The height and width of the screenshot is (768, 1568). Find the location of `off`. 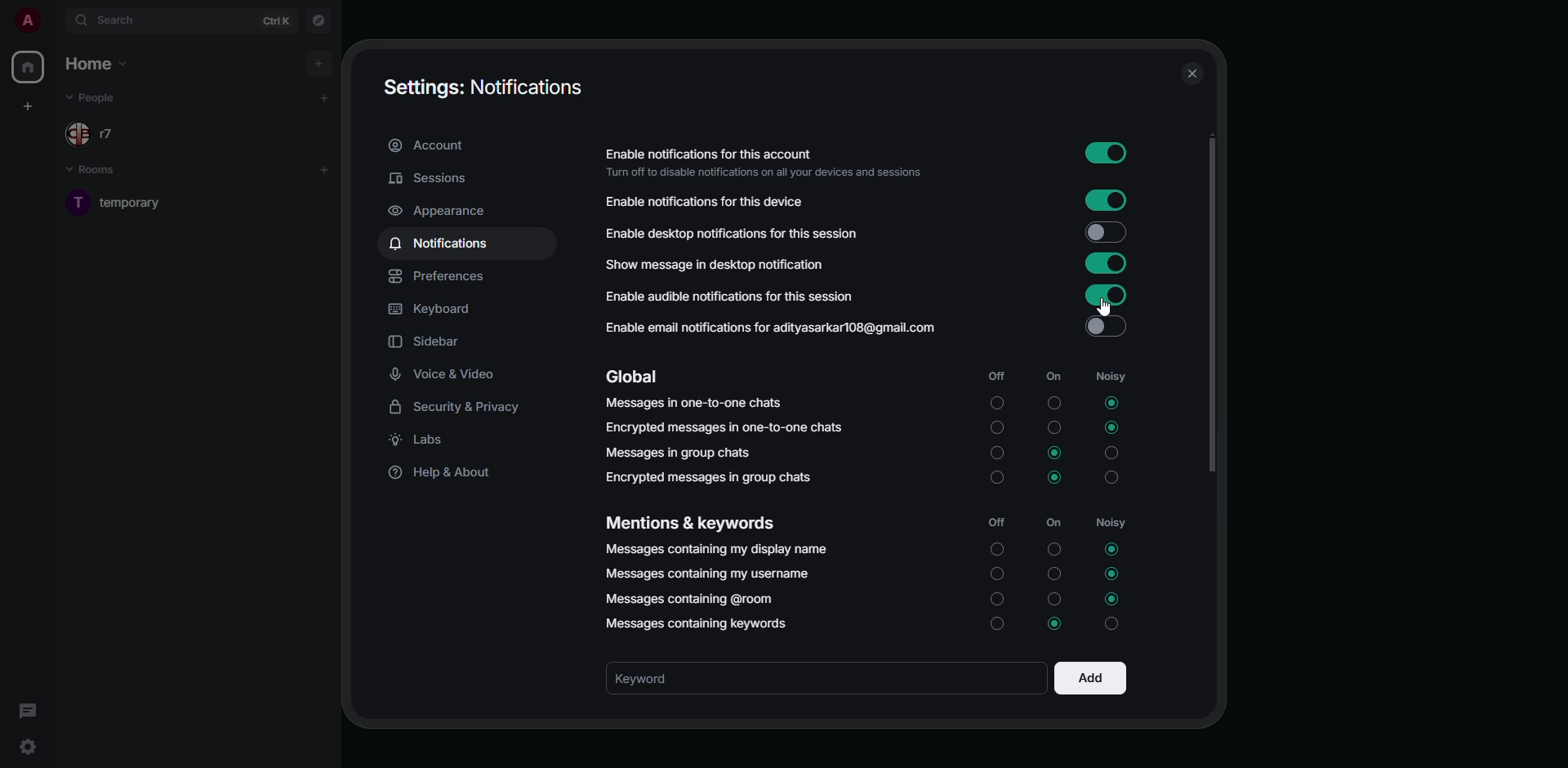

off is located at coordinates (996, 598).